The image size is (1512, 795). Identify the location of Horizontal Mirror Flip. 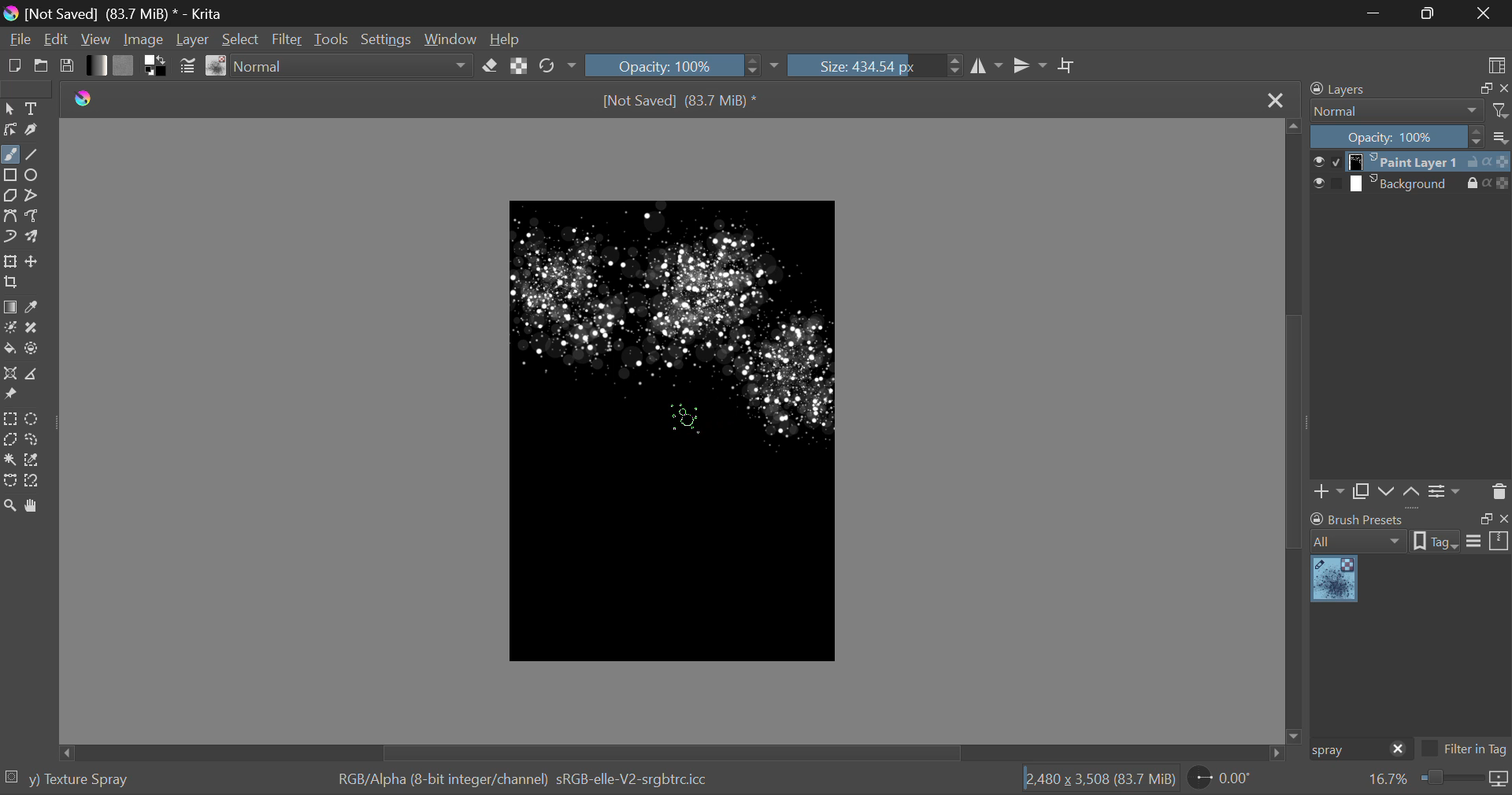
(1030, 65).